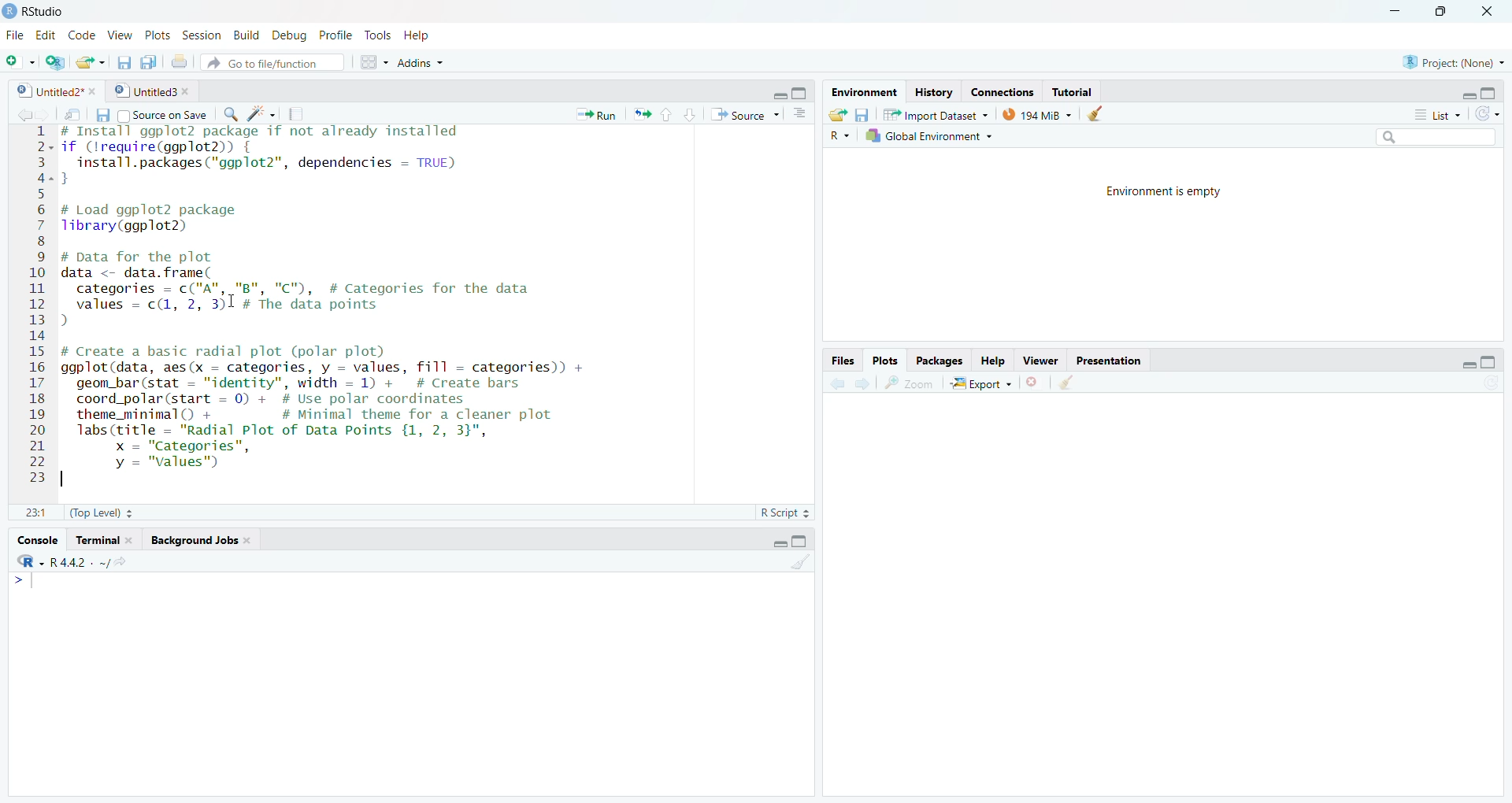 The width and height of the screenshot is (1512, 803). What do you see at coordinates (155, 36) in the screenshot?
I see `Plots` at bounding box center [155, 36].